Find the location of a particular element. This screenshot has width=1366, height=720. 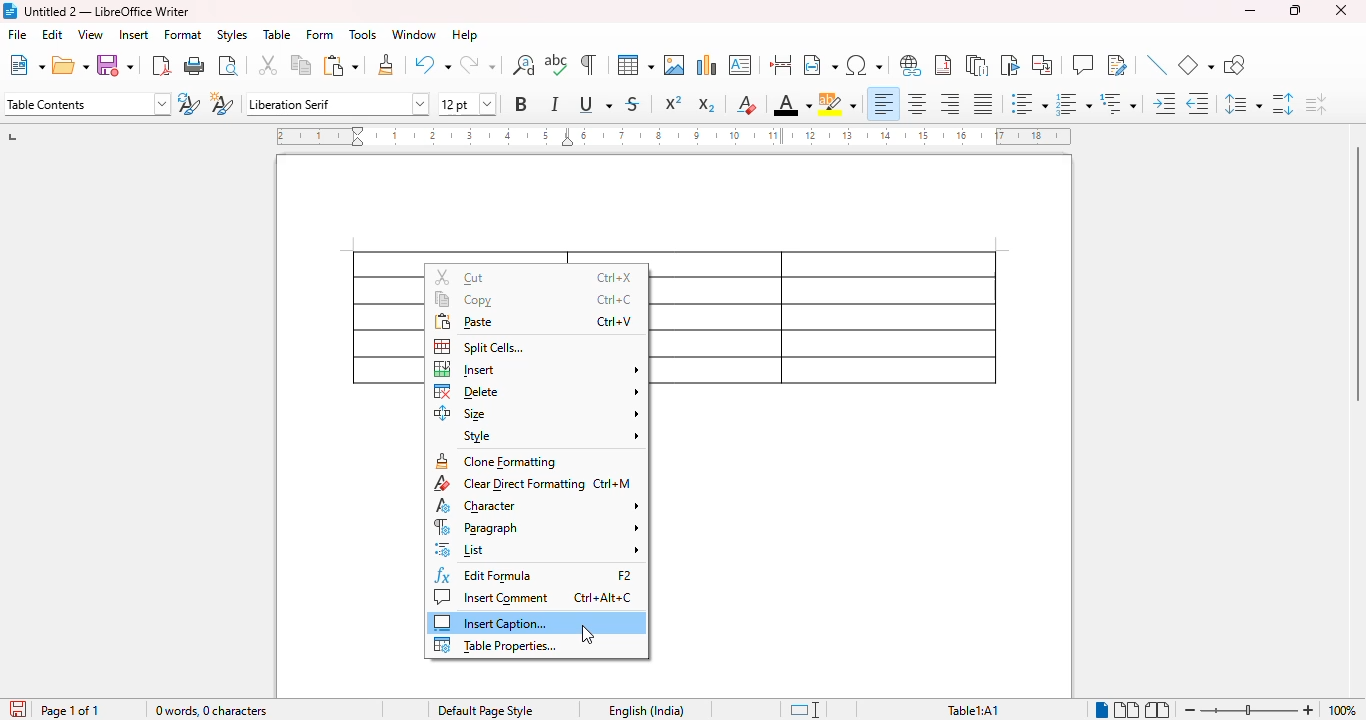

insert special characters is located at coordinates (865, 65).